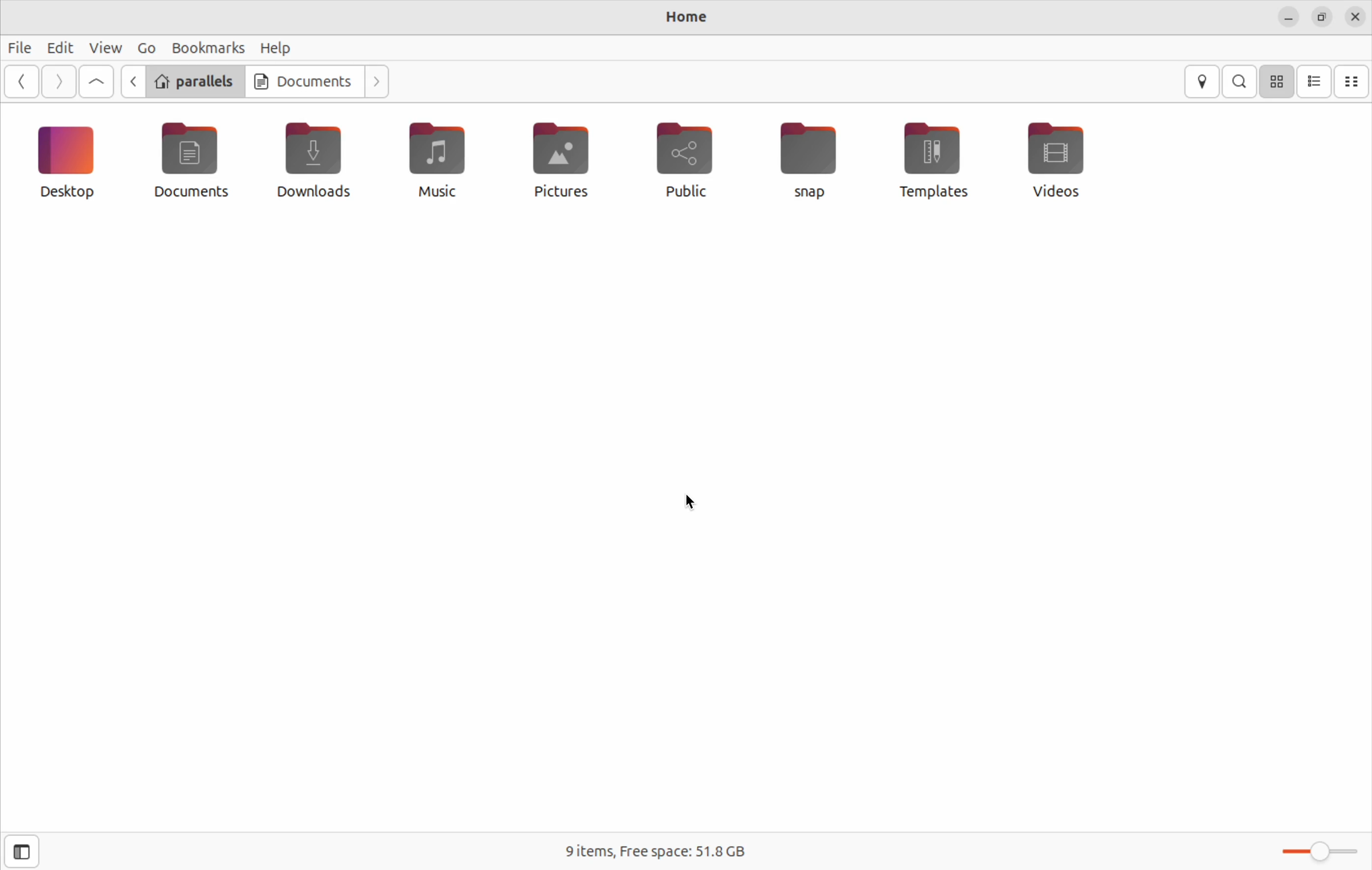 This screenshot has height=870, width=1372. Describe the element at coordinates (1240, 81) in the screenshot. I see `search` at that location.